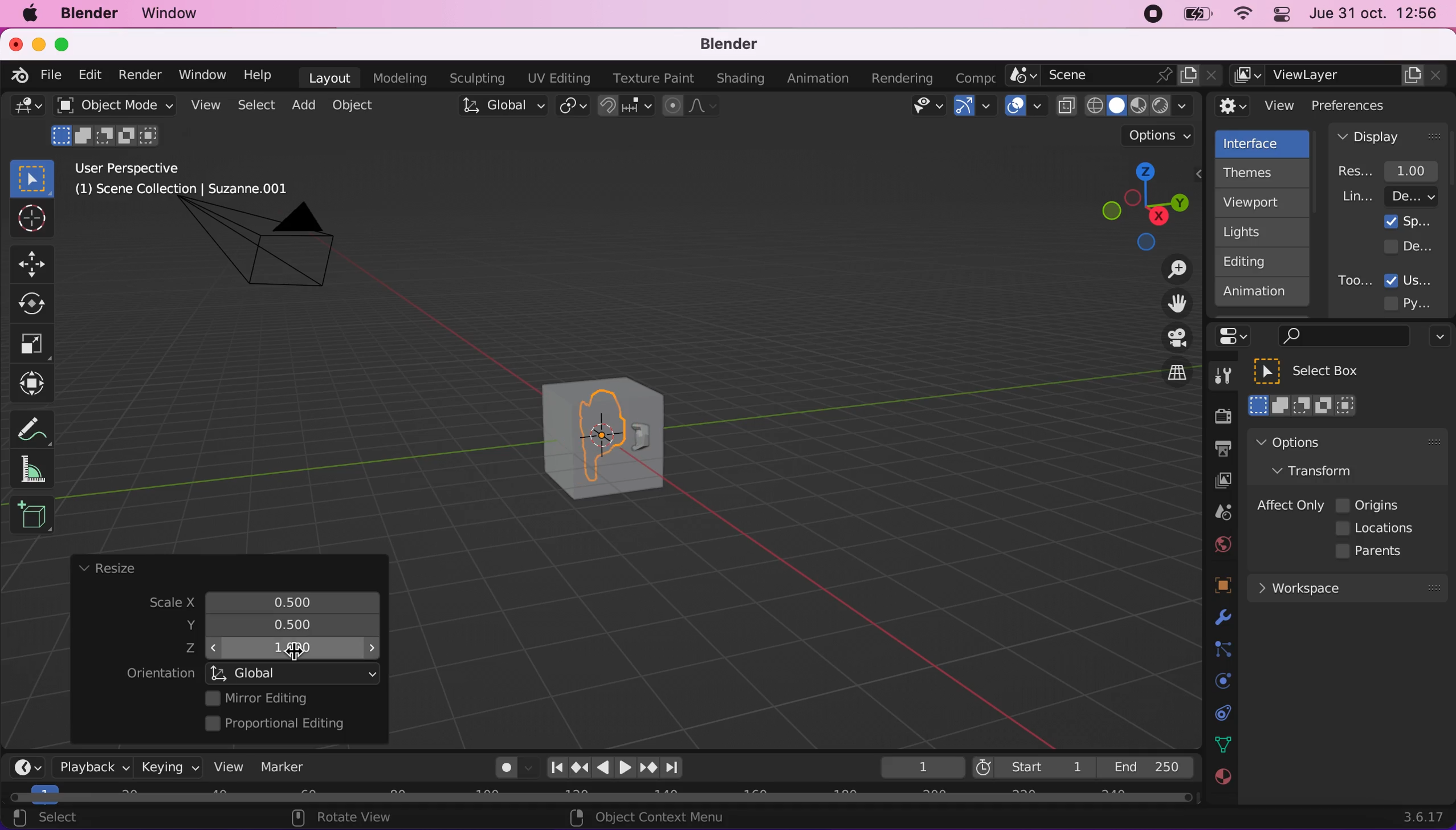 This screenshot has width=1456, height=830. I want to click on affect only, so click(1288, 505).